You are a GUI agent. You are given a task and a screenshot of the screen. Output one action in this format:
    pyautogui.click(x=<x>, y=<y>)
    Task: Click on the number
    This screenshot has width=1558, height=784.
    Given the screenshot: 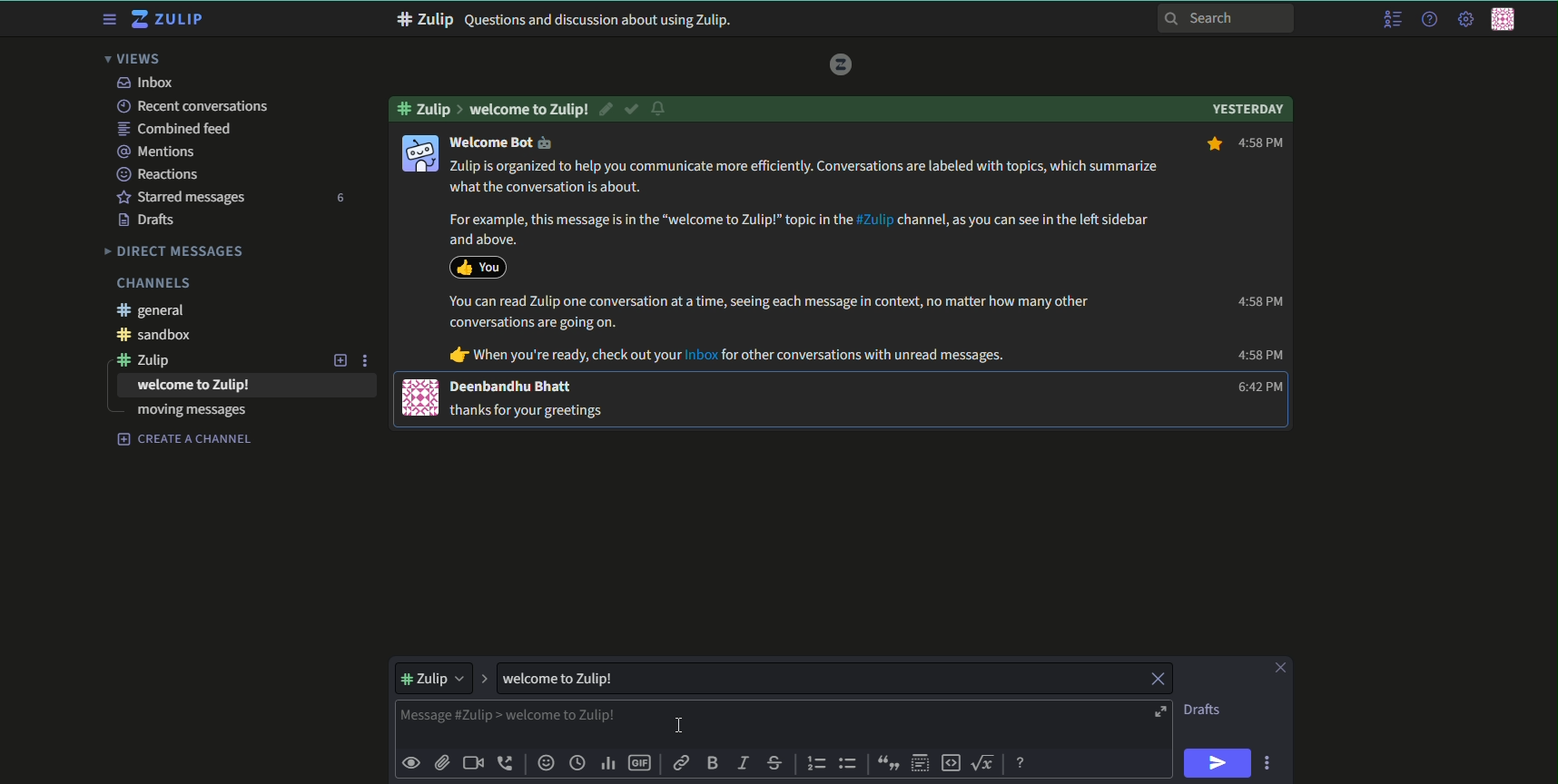 What is the action you would take?
    pyautogui.click(x=339, y=198)
    